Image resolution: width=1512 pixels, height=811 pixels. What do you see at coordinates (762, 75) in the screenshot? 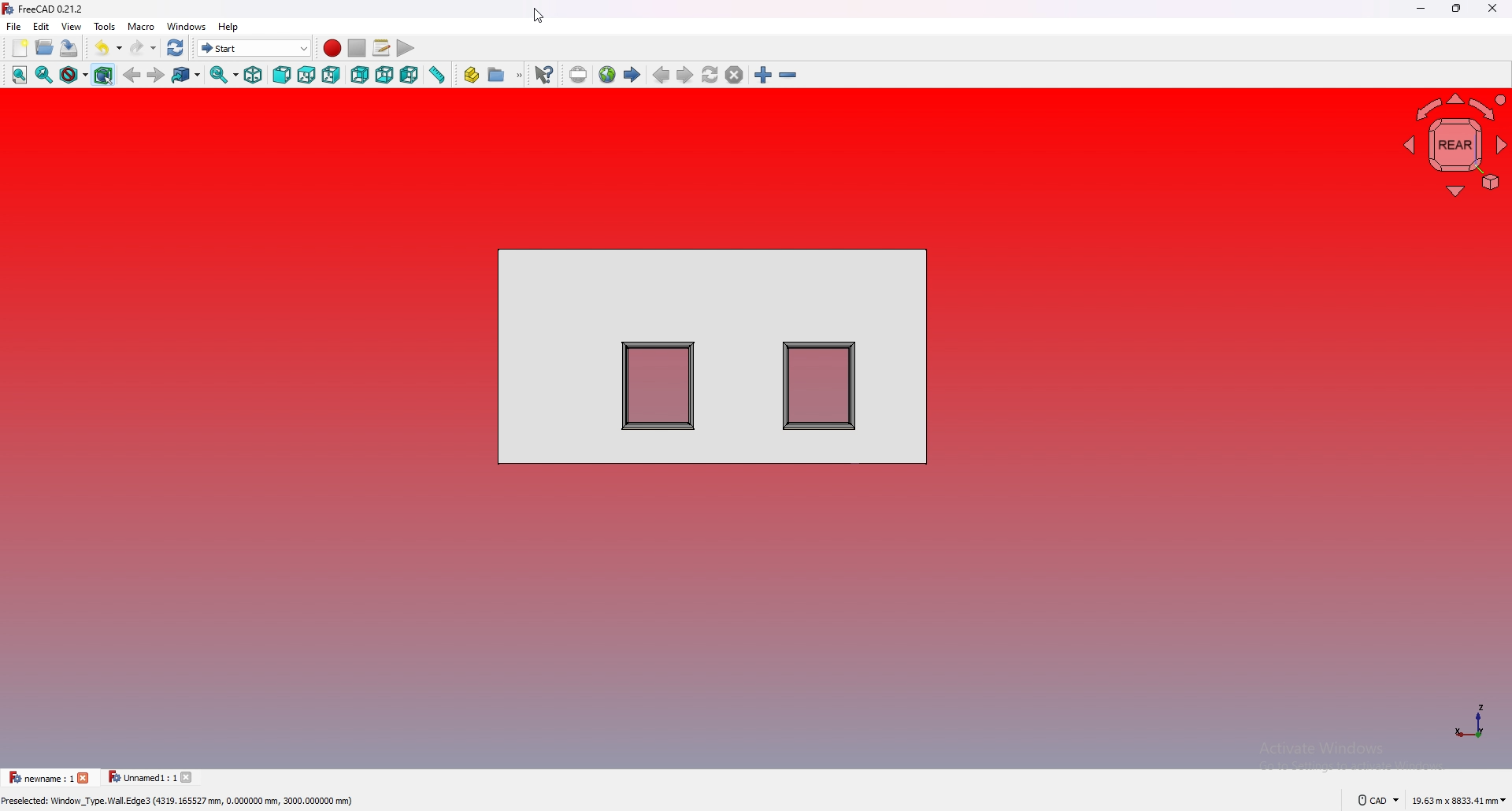
I see `zoom in` at bounding box center [762, 75].